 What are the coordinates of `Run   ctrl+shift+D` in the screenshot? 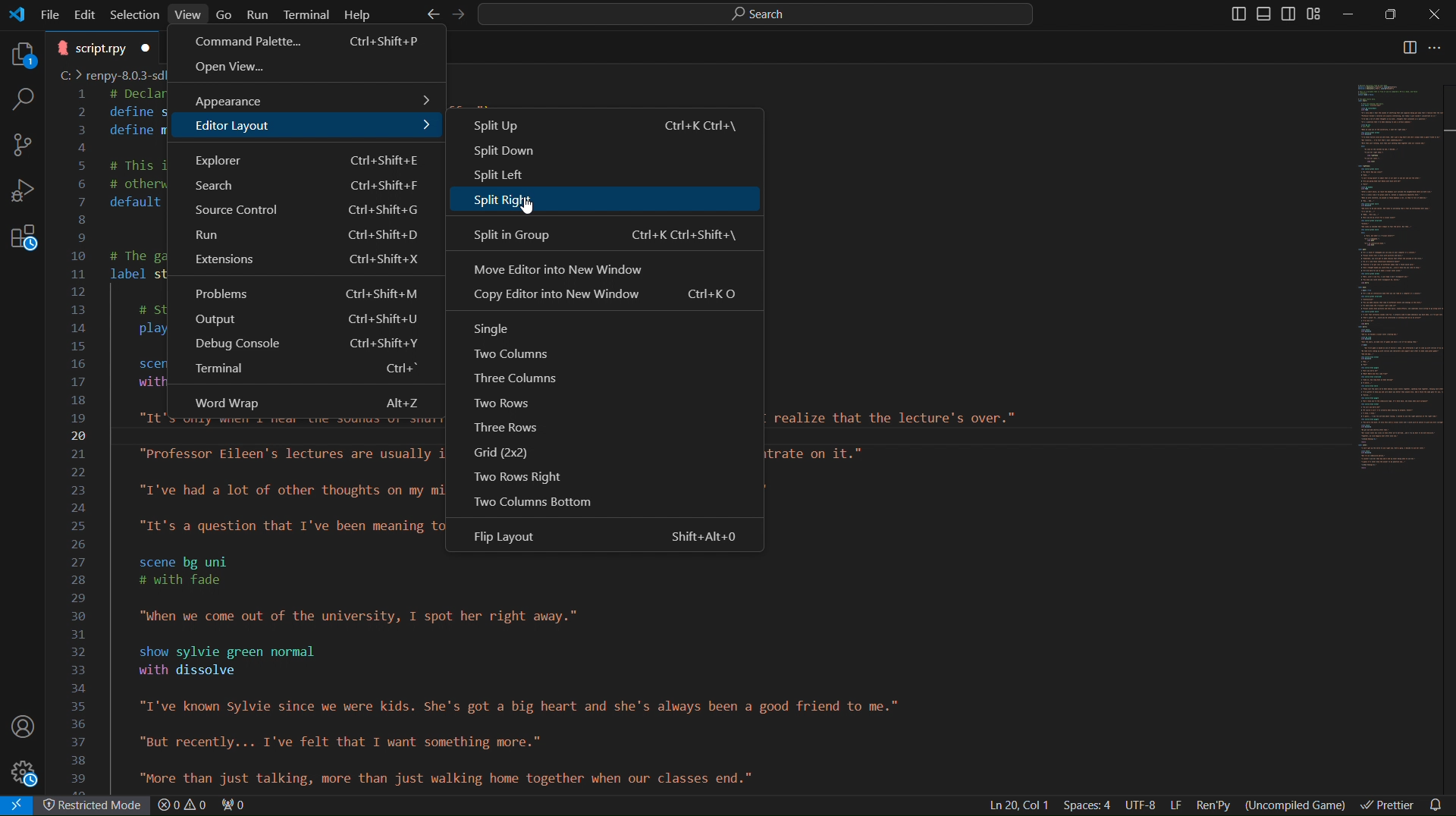 It's located at (303, 237).